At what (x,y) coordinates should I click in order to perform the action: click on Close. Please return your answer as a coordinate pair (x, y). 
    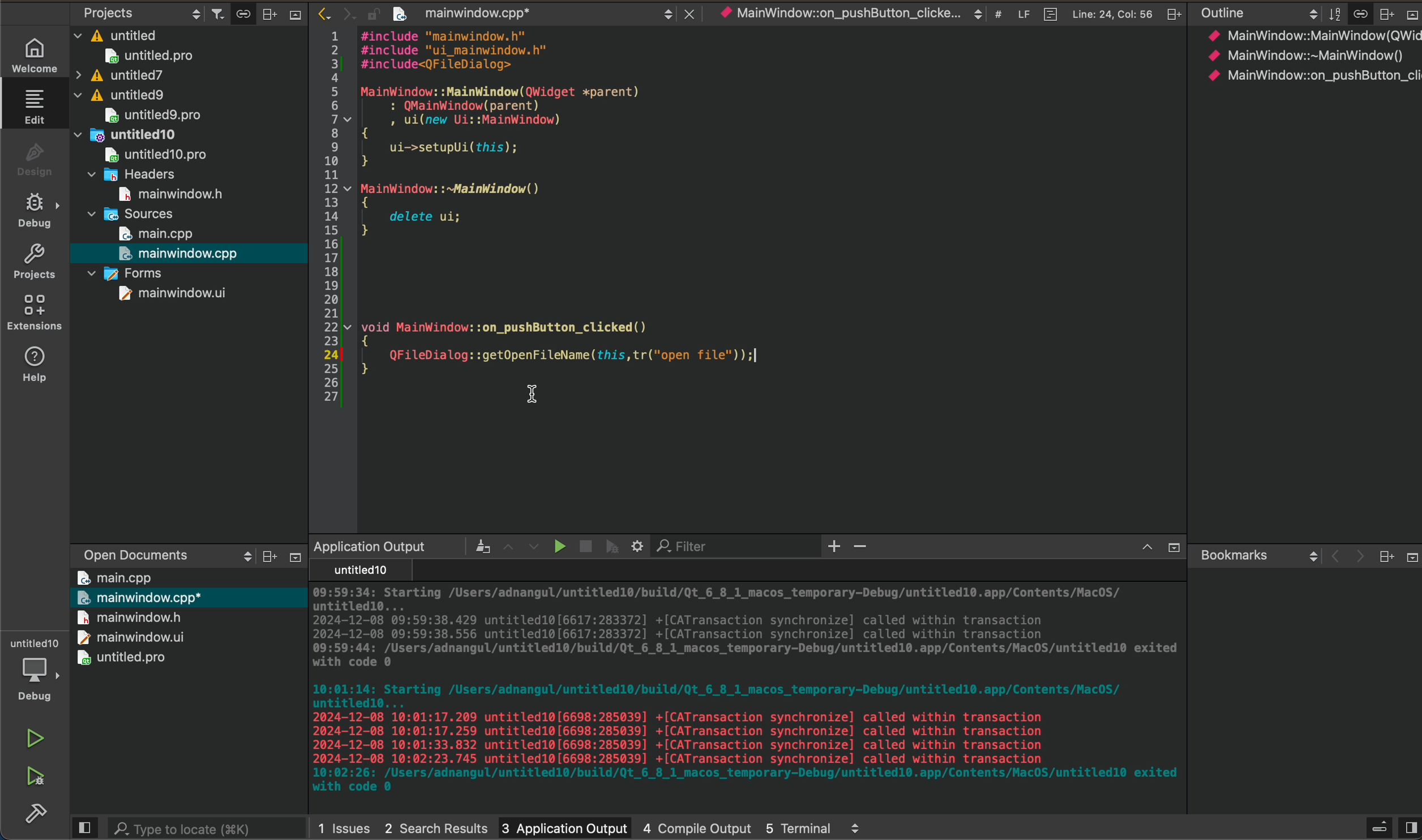
    Looking at the image, I should click on (686, 11).